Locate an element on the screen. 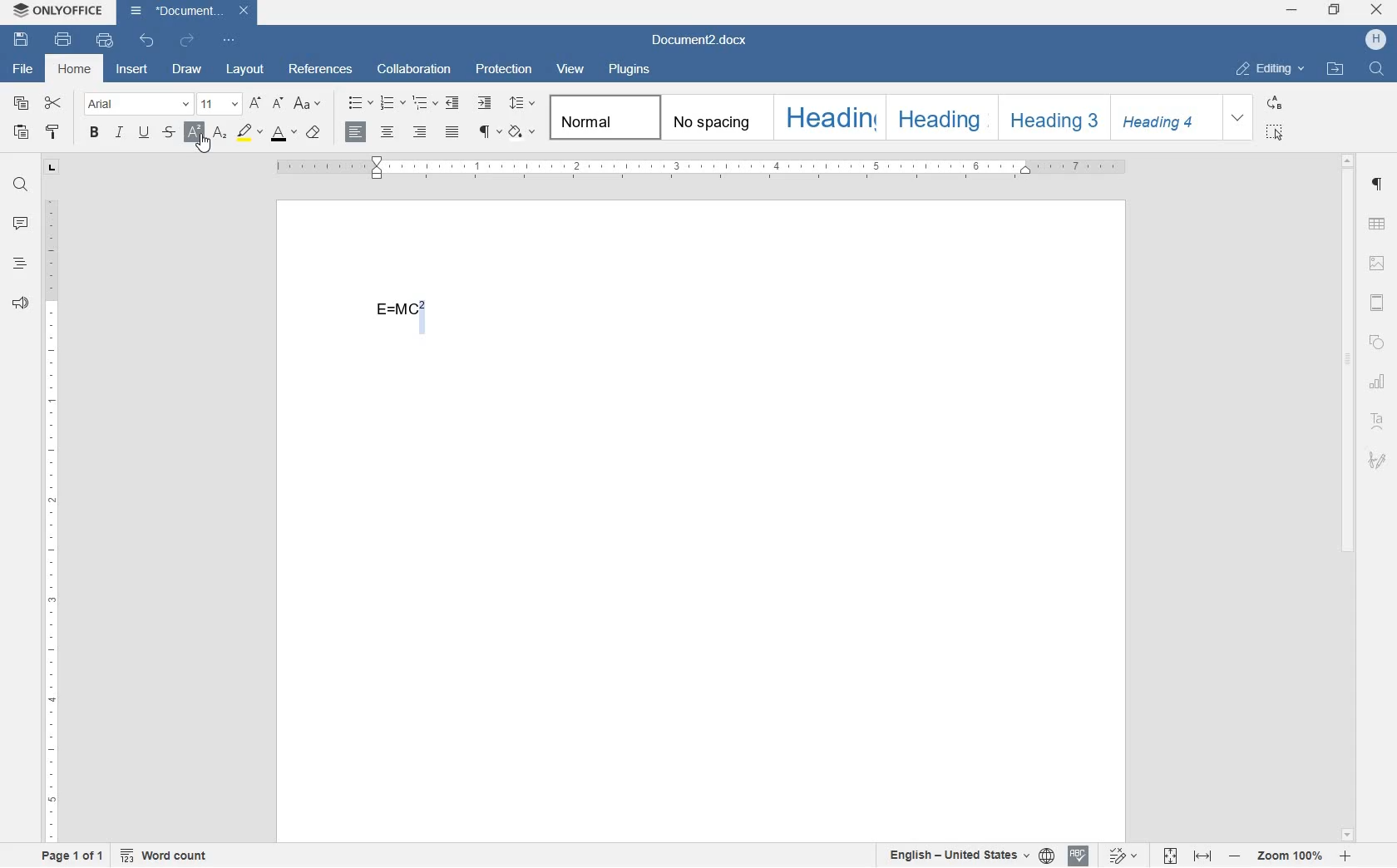 Image resolution: width=1397 pixels, height=868 pixels. replace is located at coordinates (1276, 104).